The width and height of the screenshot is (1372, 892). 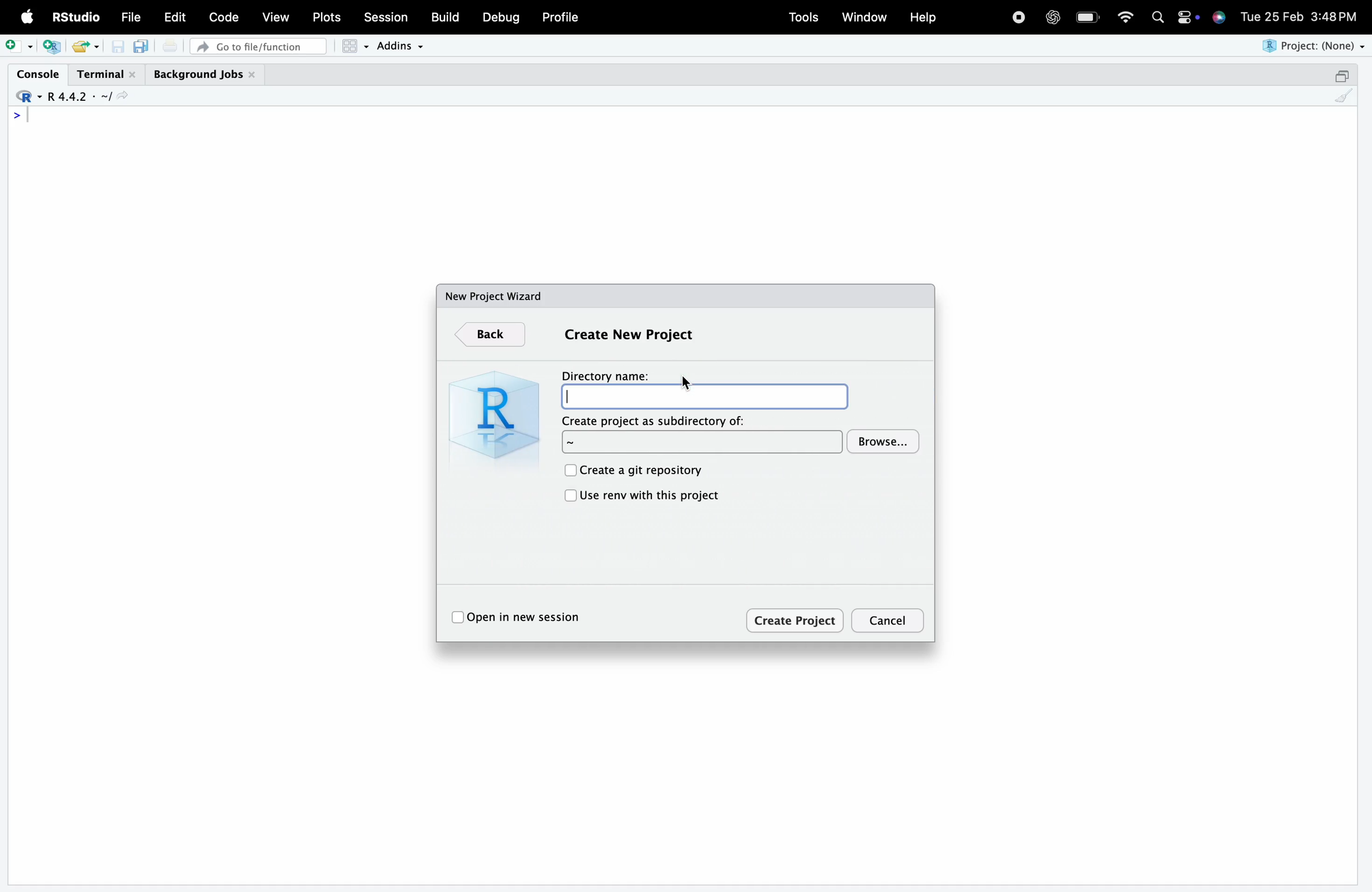 I want to click on open recent files, so click(x=96, y=47).